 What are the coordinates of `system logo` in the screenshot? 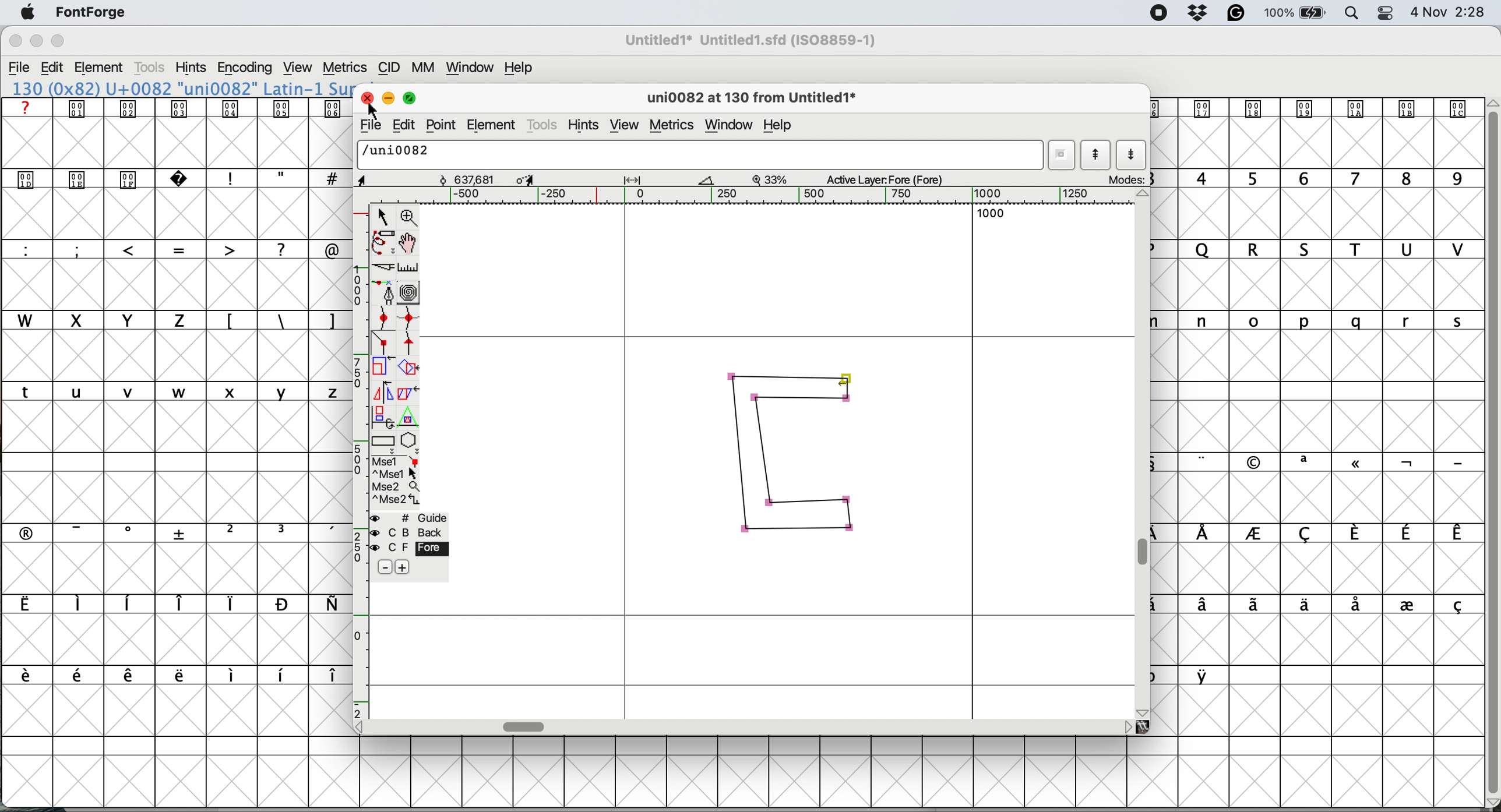 It's located at (28, 13).